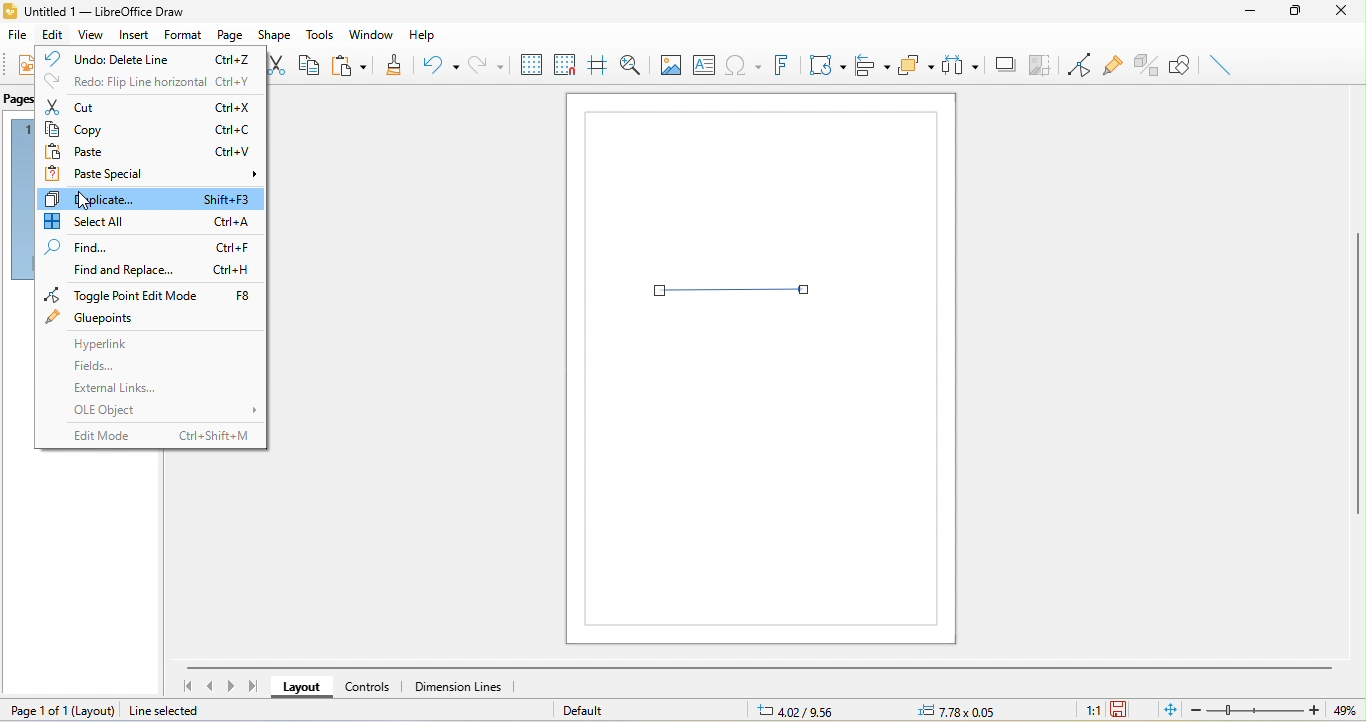  I want to click on horizontal scroll bar, so click(759, 666).